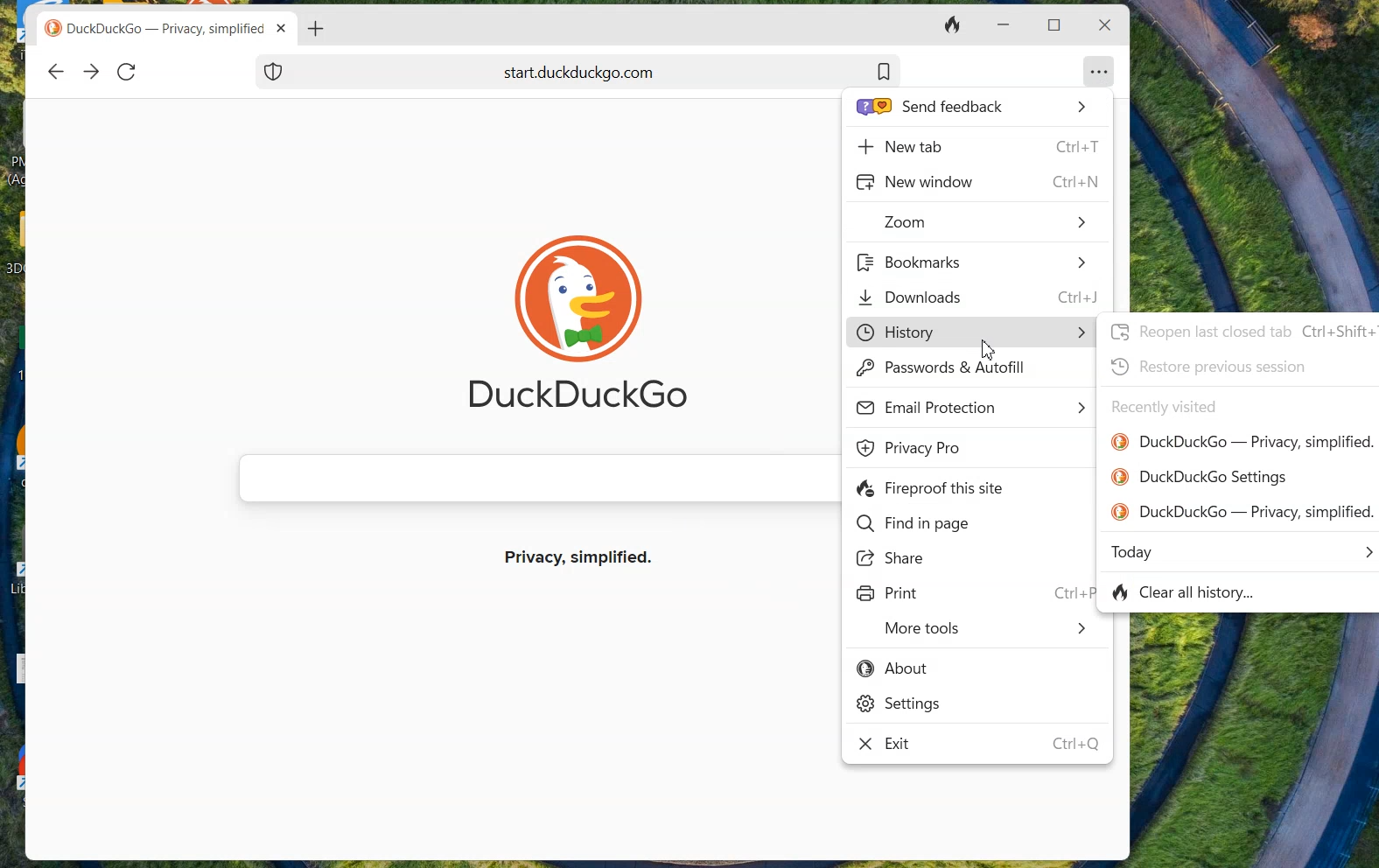  Describe the element at coordinates (891, 746) in the screenshot. I see `Exit` at that location.